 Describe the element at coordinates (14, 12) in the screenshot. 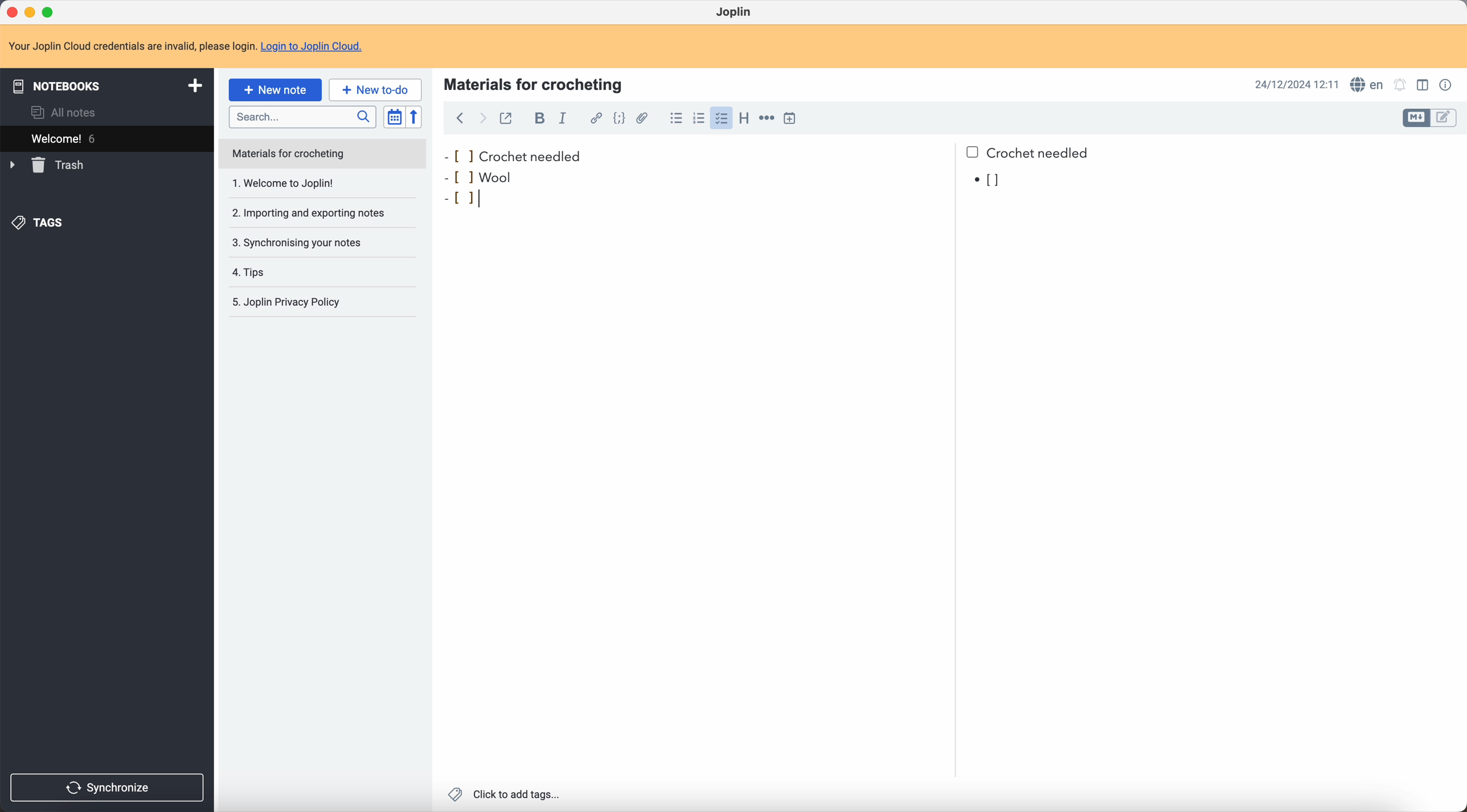

I see `close` at that location.